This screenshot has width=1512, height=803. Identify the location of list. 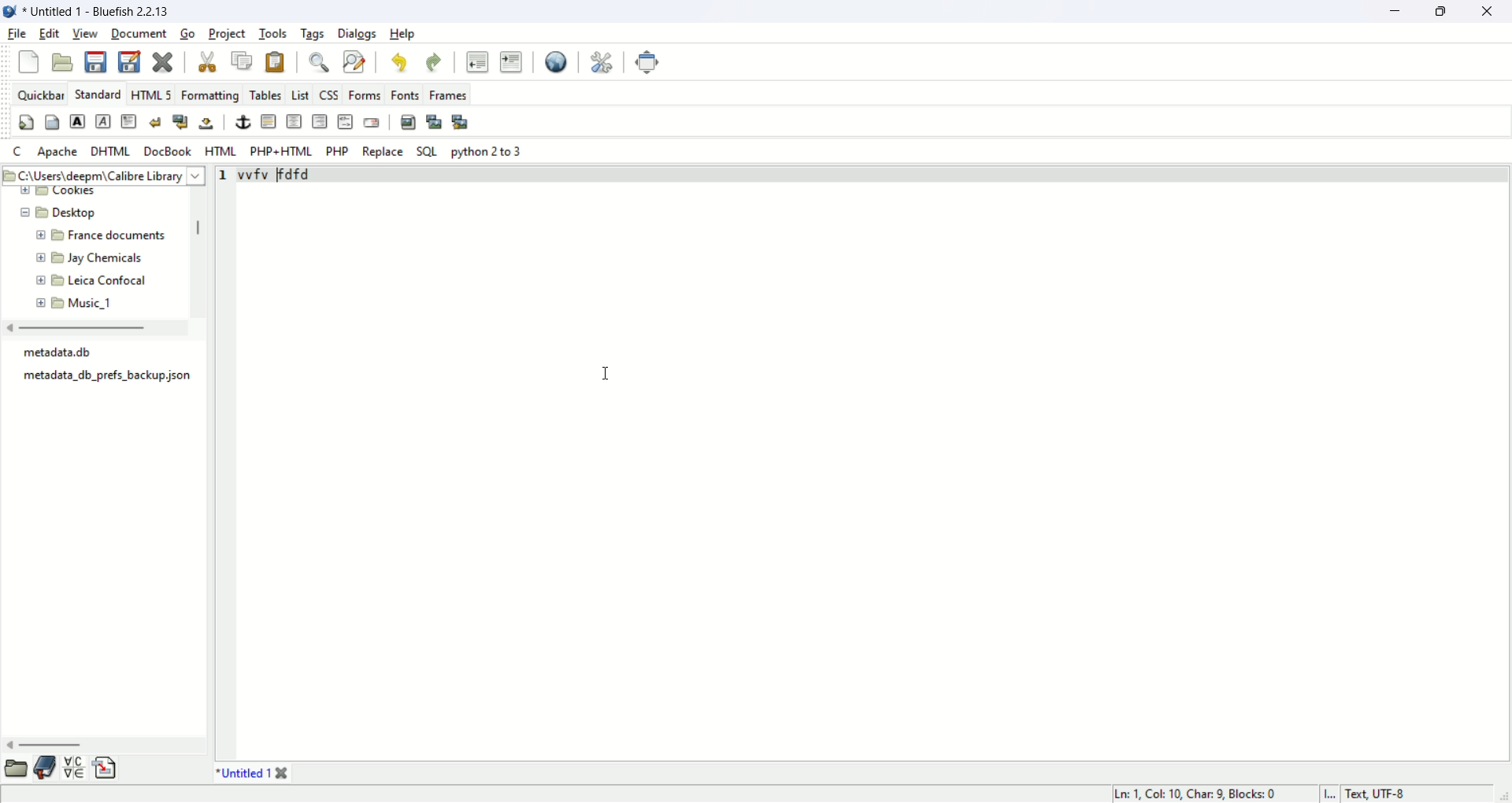
(302, 96).